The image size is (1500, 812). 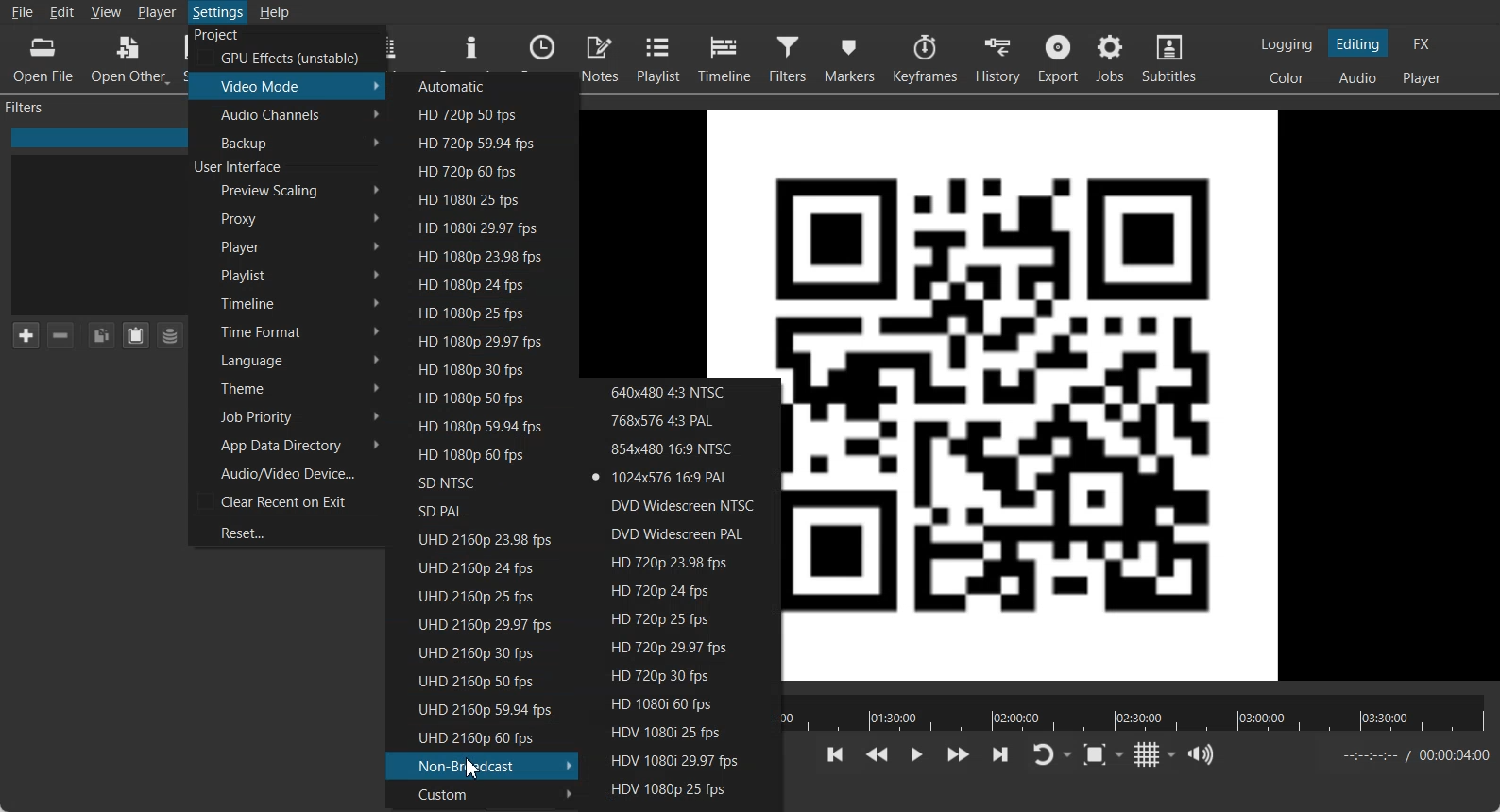 What do you see at coordinates (680, 391) in the screenshot?
I see `640x480 4:3 NTSC` at bounding box center [680, 391].